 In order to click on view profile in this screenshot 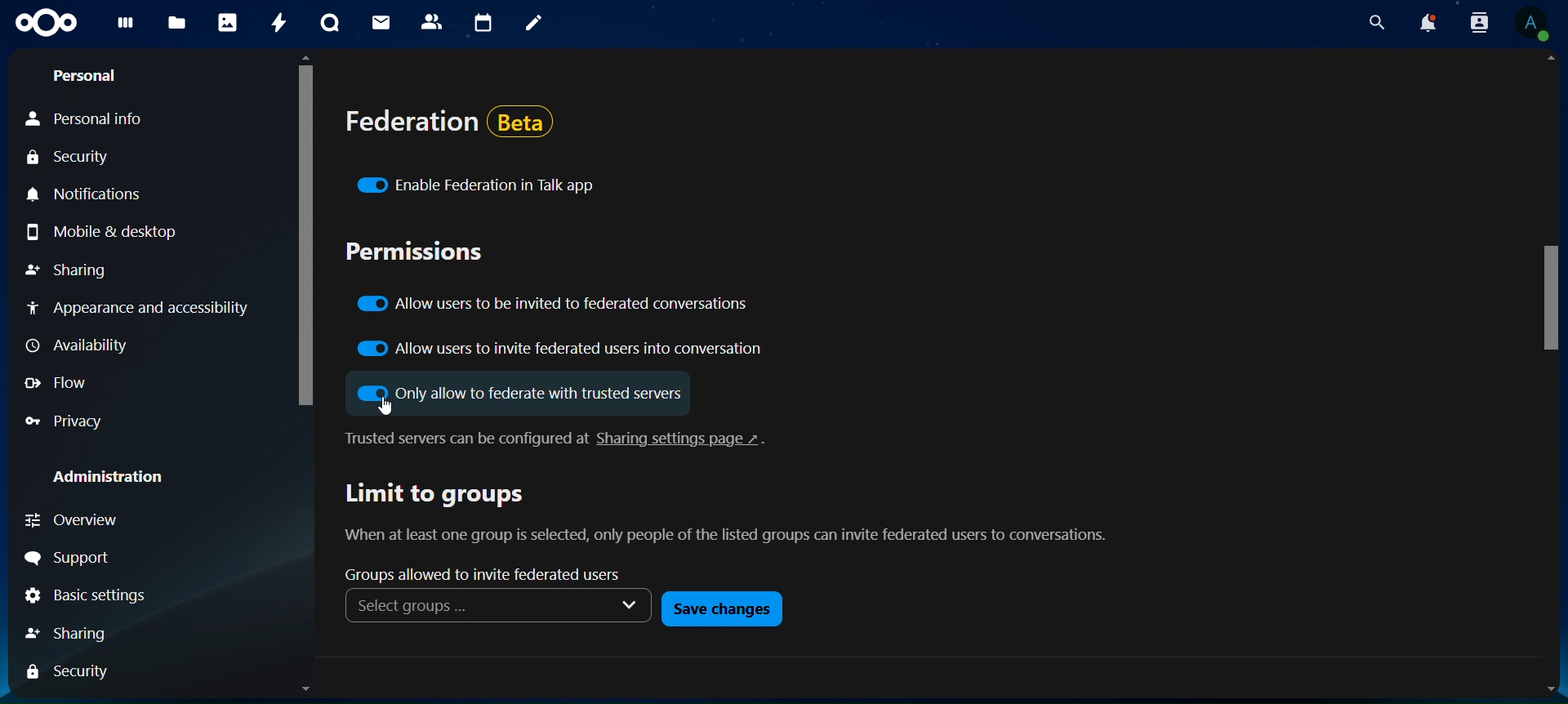, I will do `click(1534, 25)`.